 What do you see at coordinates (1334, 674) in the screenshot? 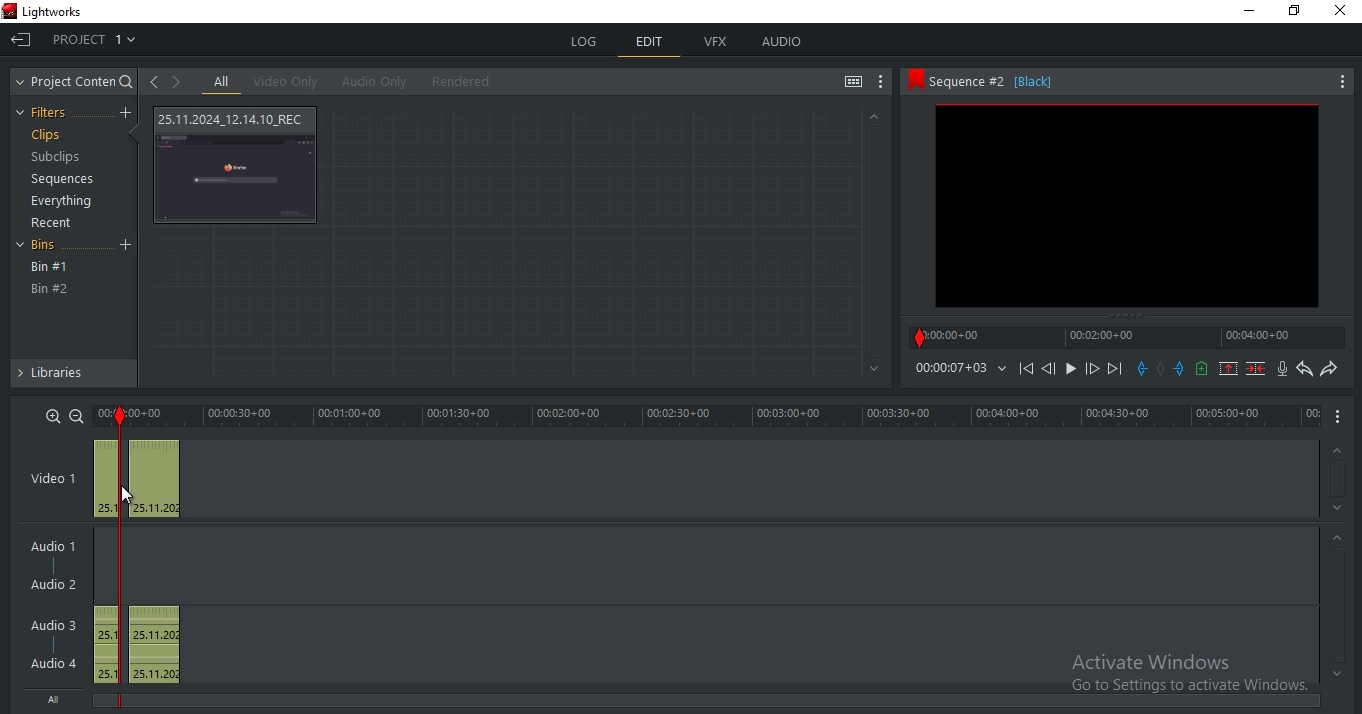
I see `Bottom` at bounding box center [1334, 674].